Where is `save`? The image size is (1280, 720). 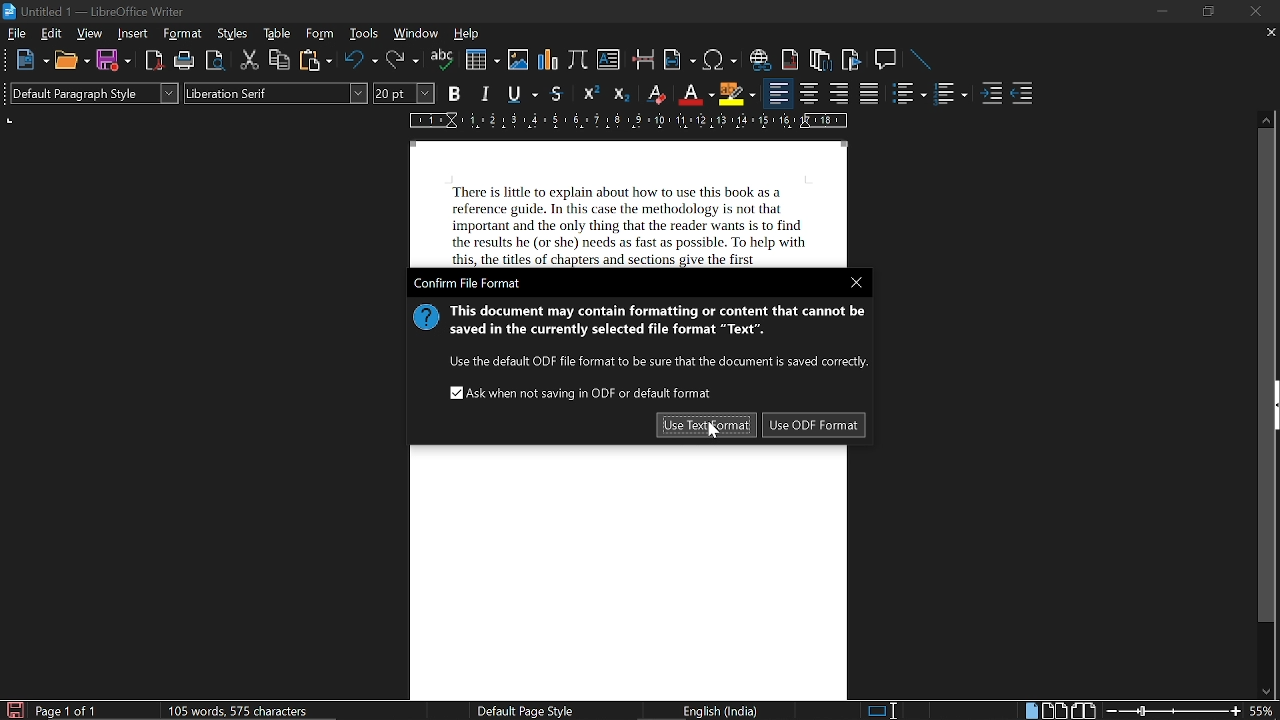 save is located at coordinates (14, 709).